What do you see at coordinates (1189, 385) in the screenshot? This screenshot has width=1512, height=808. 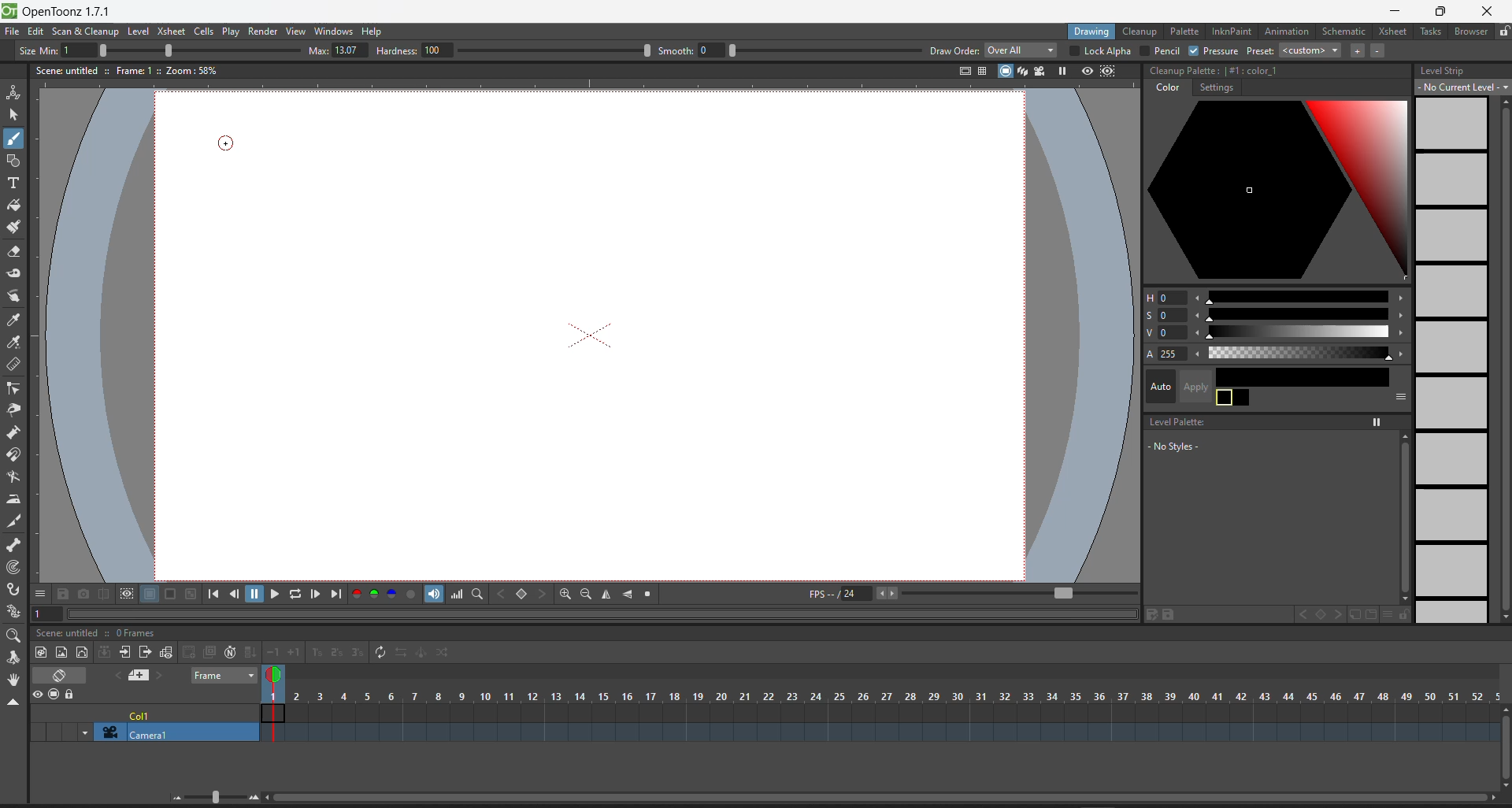 I see `apply` at bounding box center [1189, 385].